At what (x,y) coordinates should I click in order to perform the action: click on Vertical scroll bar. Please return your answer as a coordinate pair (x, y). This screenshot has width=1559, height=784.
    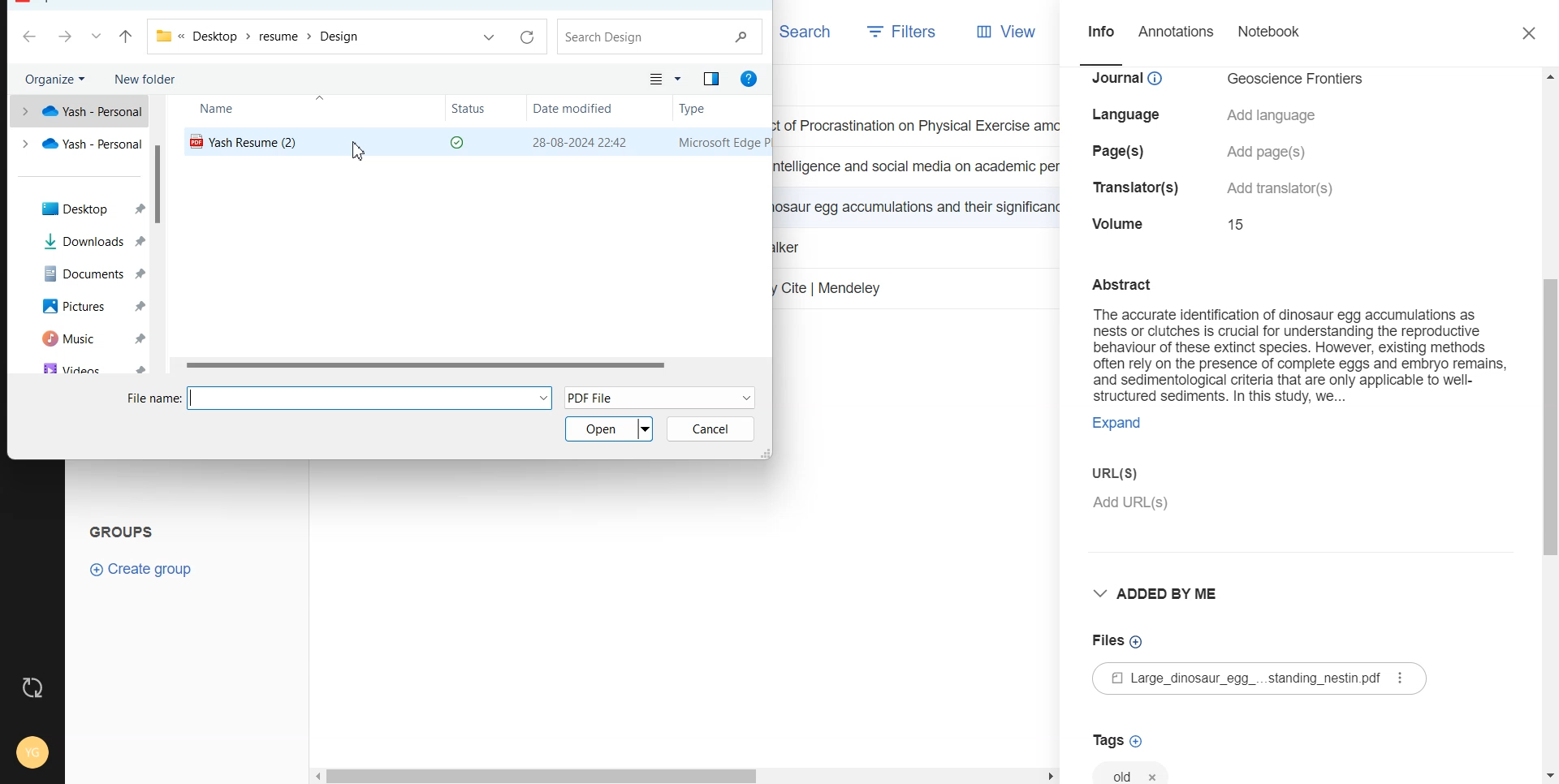
    Looking at the image, I should click on (162, 236).